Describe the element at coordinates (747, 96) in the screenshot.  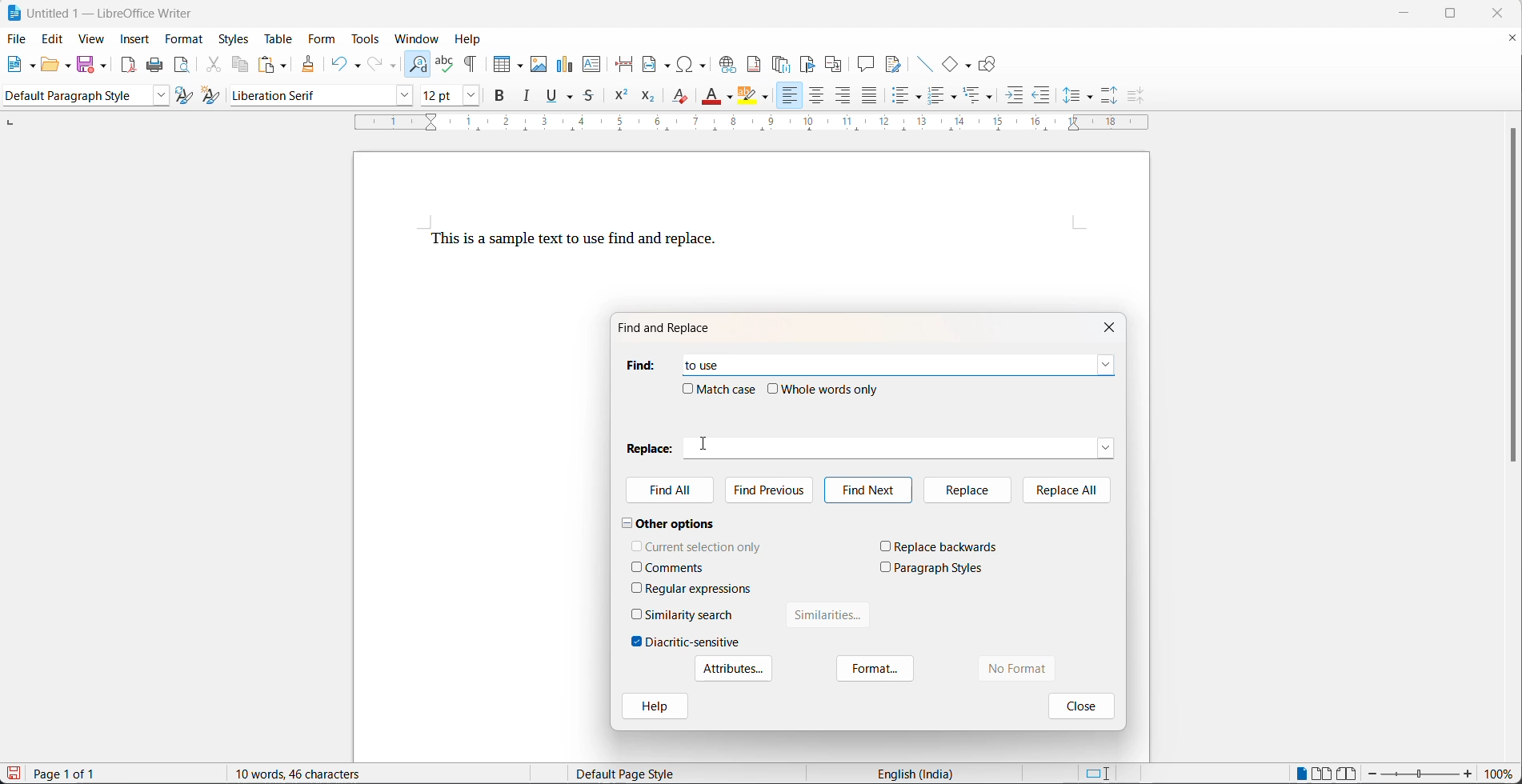
I see `character highlight` at that location.